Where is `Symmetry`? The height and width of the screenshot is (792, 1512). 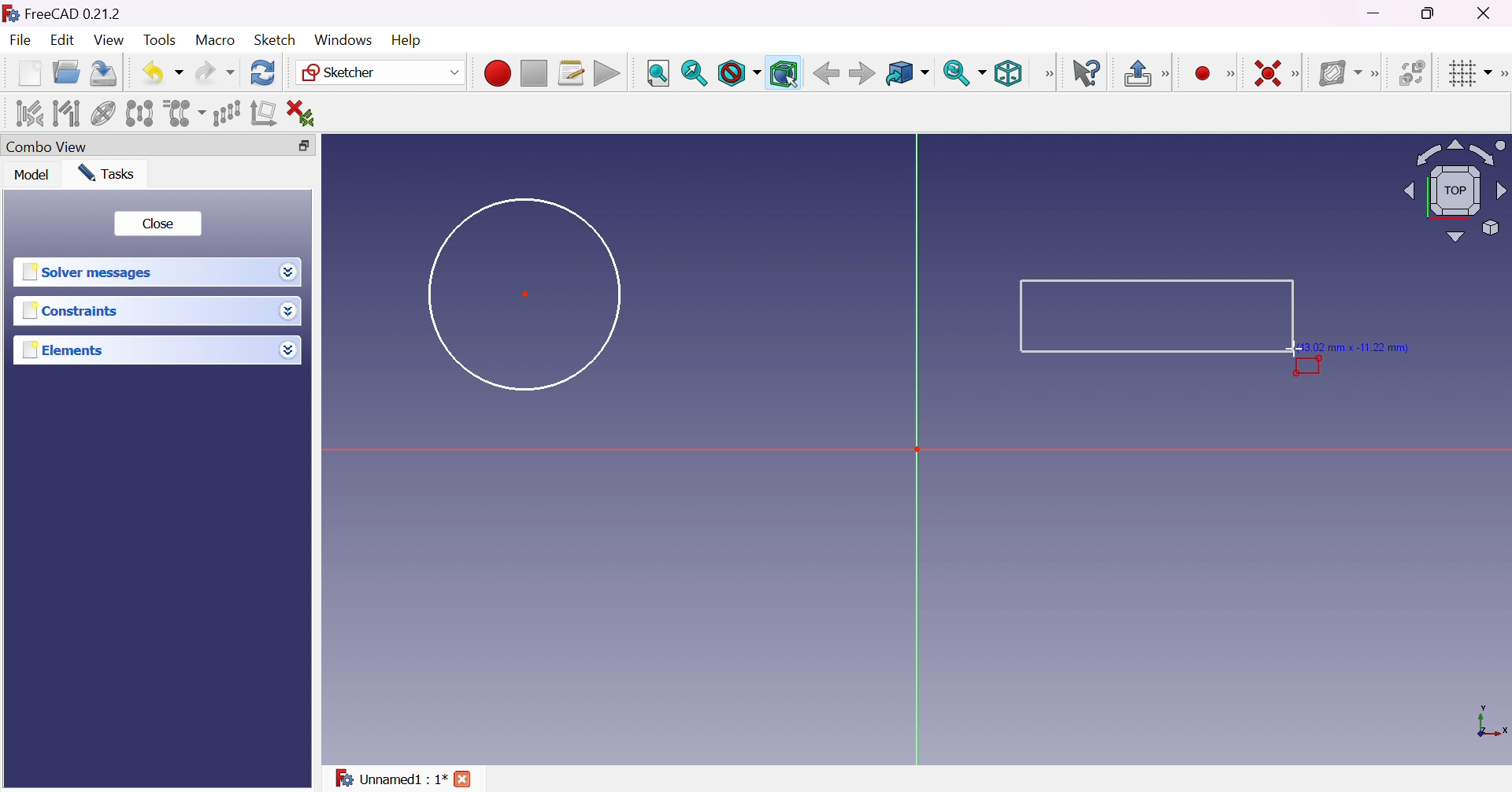 Symmetry is located at coordinates (140, 113).